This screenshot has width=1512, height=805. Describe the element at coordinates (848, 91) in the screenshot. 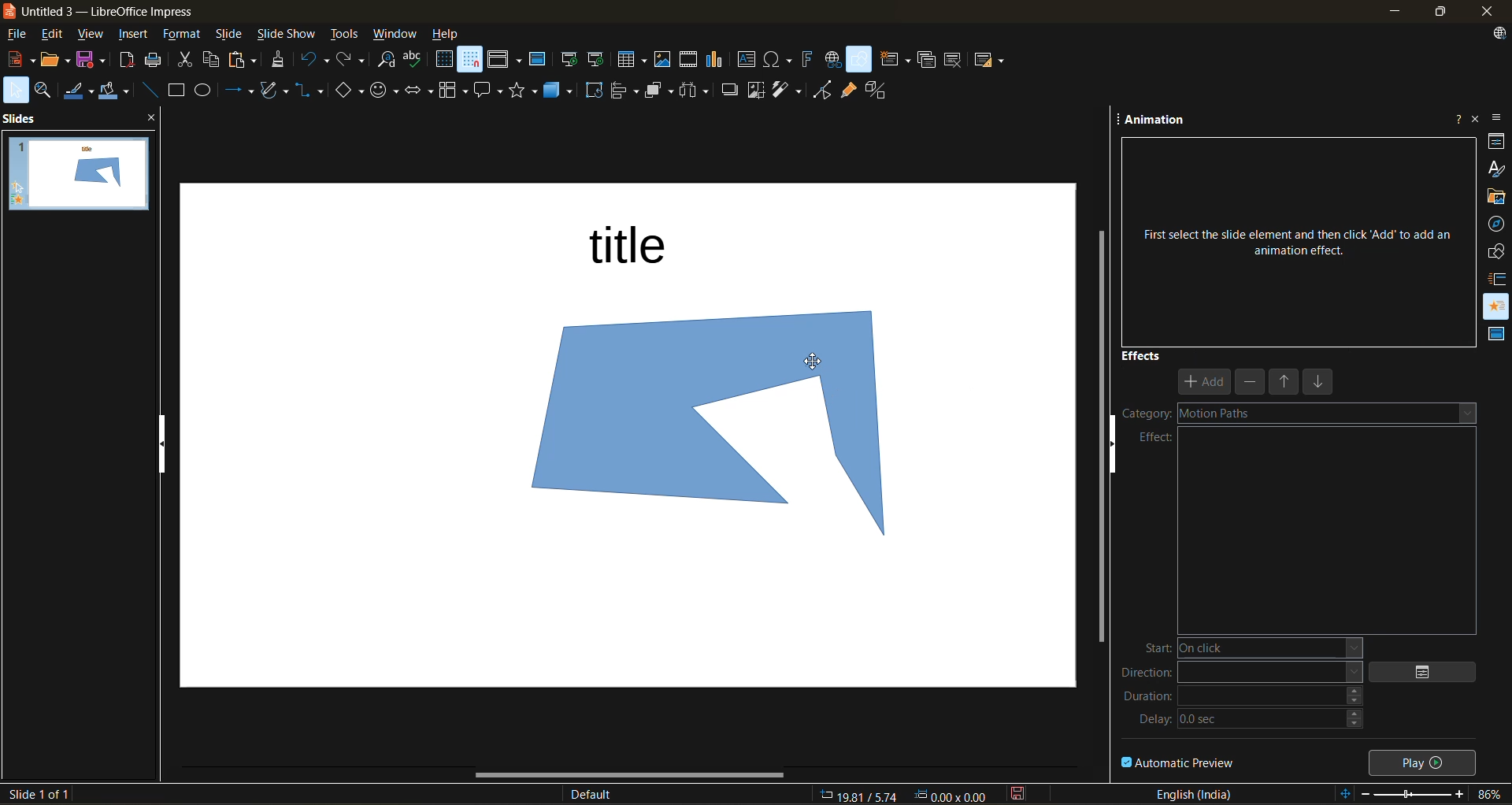

I see `show gluepoint functions` at that location.